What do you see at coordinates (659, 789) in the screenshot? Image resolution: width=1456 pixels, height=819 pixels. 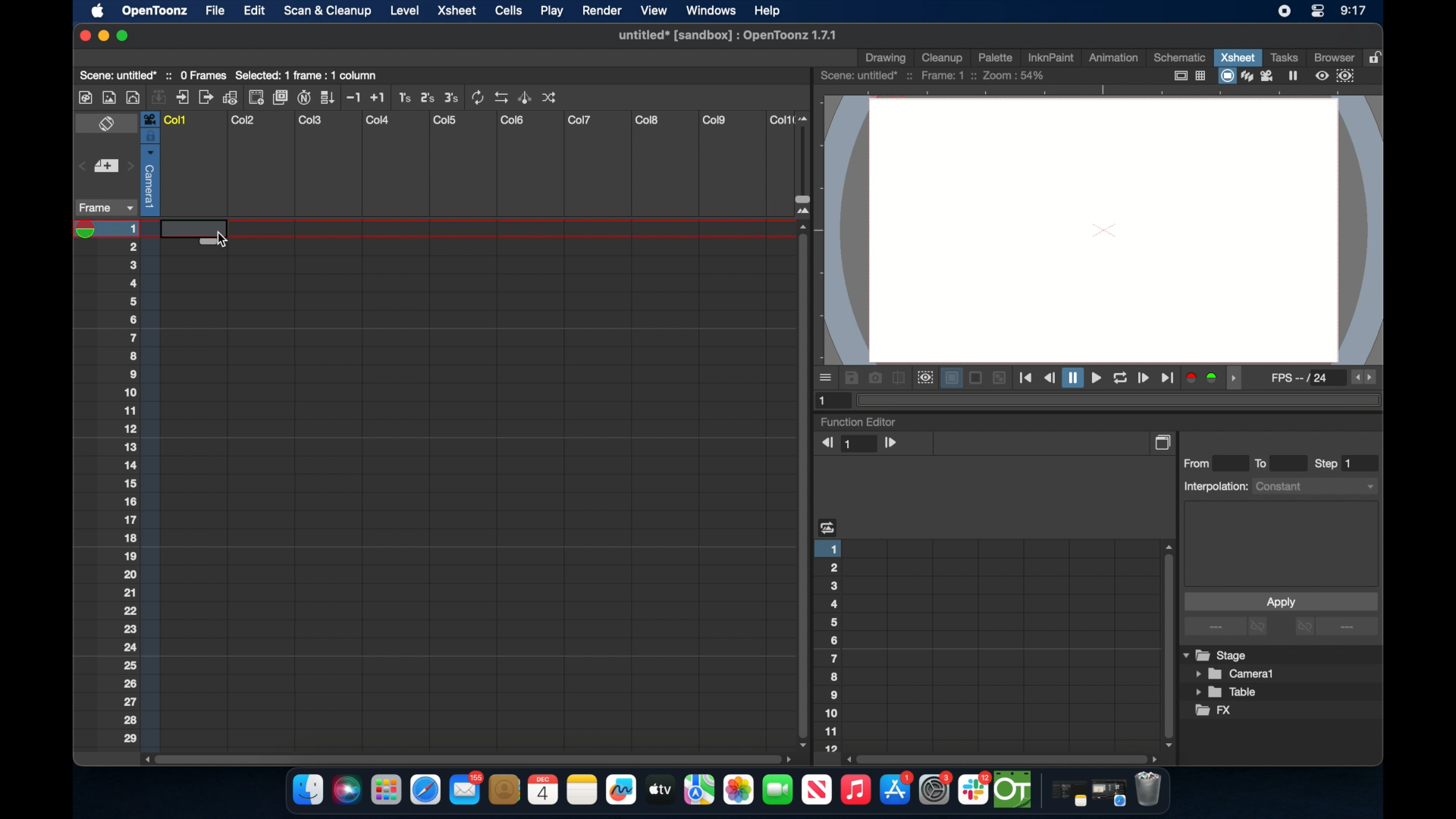 I see `apple tv` at bounding box center [659, 789].